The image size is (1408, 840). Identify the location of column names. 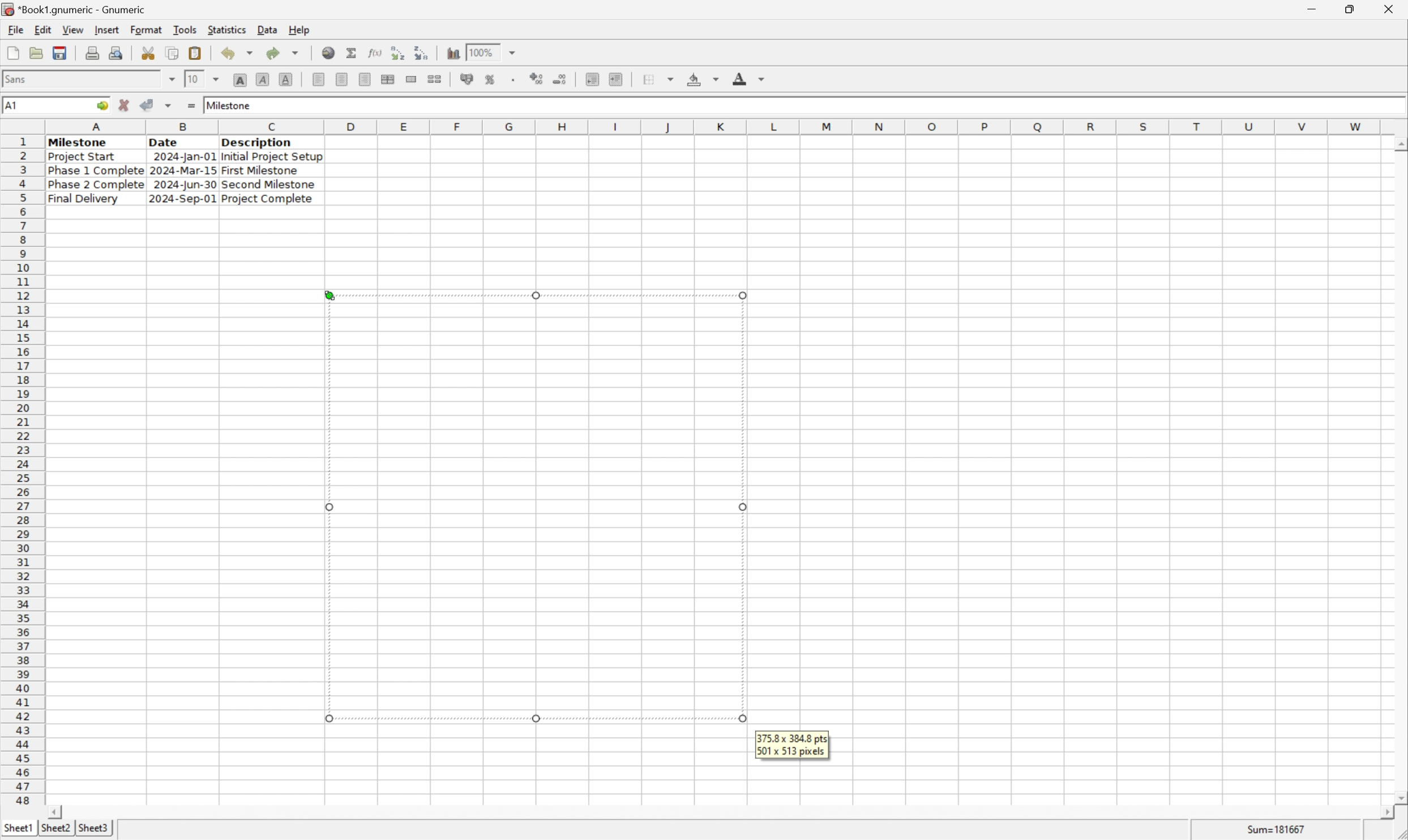
(716, 126).